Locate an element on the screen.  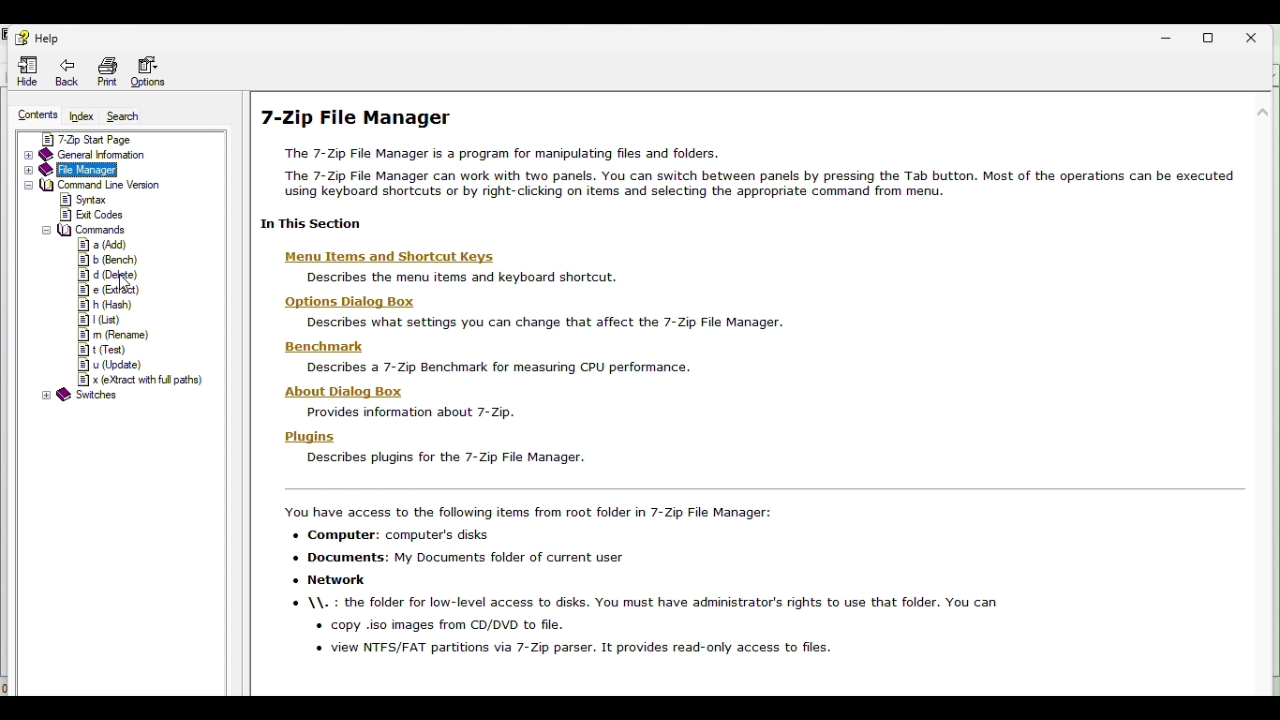
File manager is located at coordinates (86, 171).